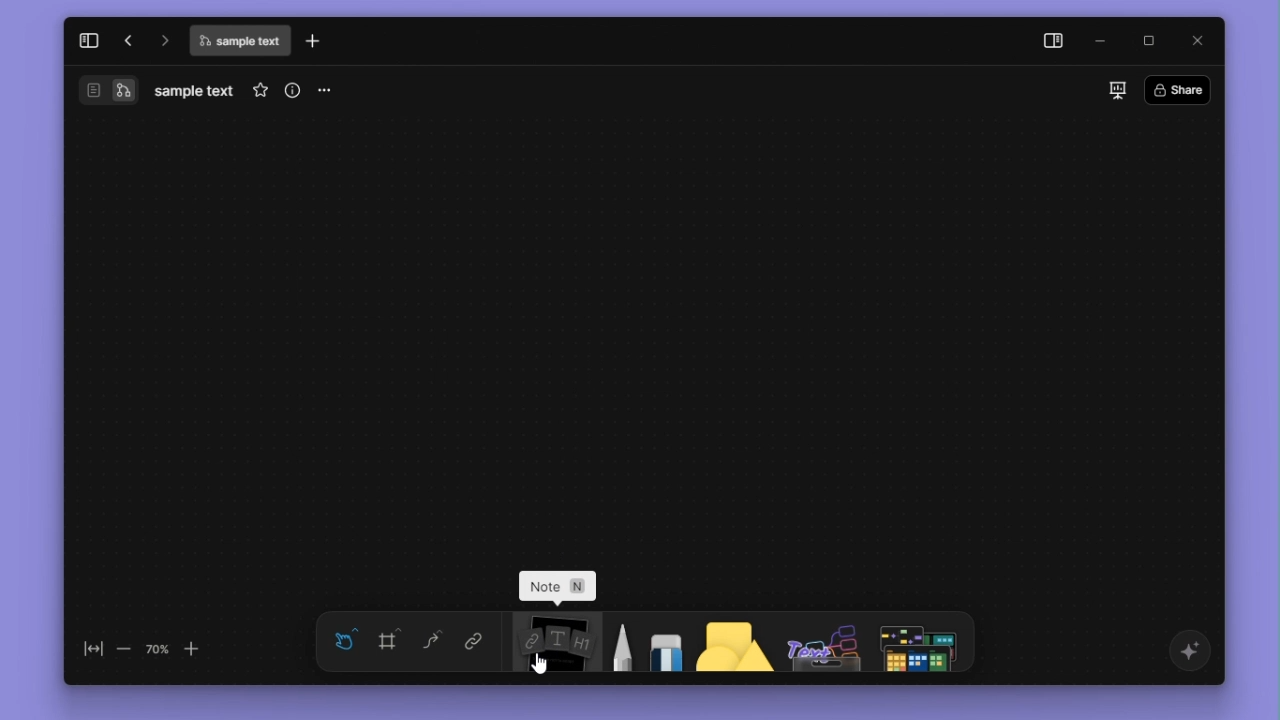 Image resolution: width=1280 pixels, height=720 pixels. What do you see at coordinates (647, 334) in the screenshot?
I see `canvas  grid` at bounding box center [647, 334].